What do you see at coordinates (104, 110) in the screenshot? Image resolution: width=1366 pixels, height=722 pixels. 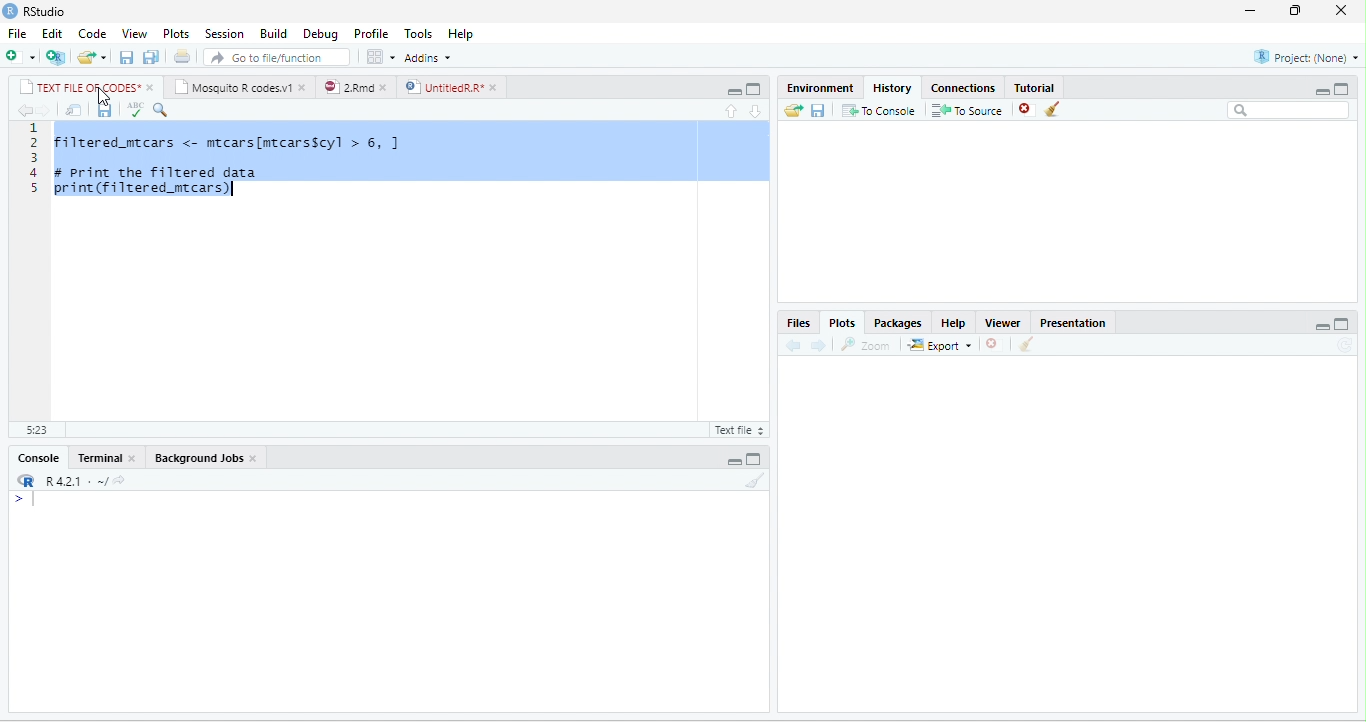 I see `save` at bounding box center [104, 110].